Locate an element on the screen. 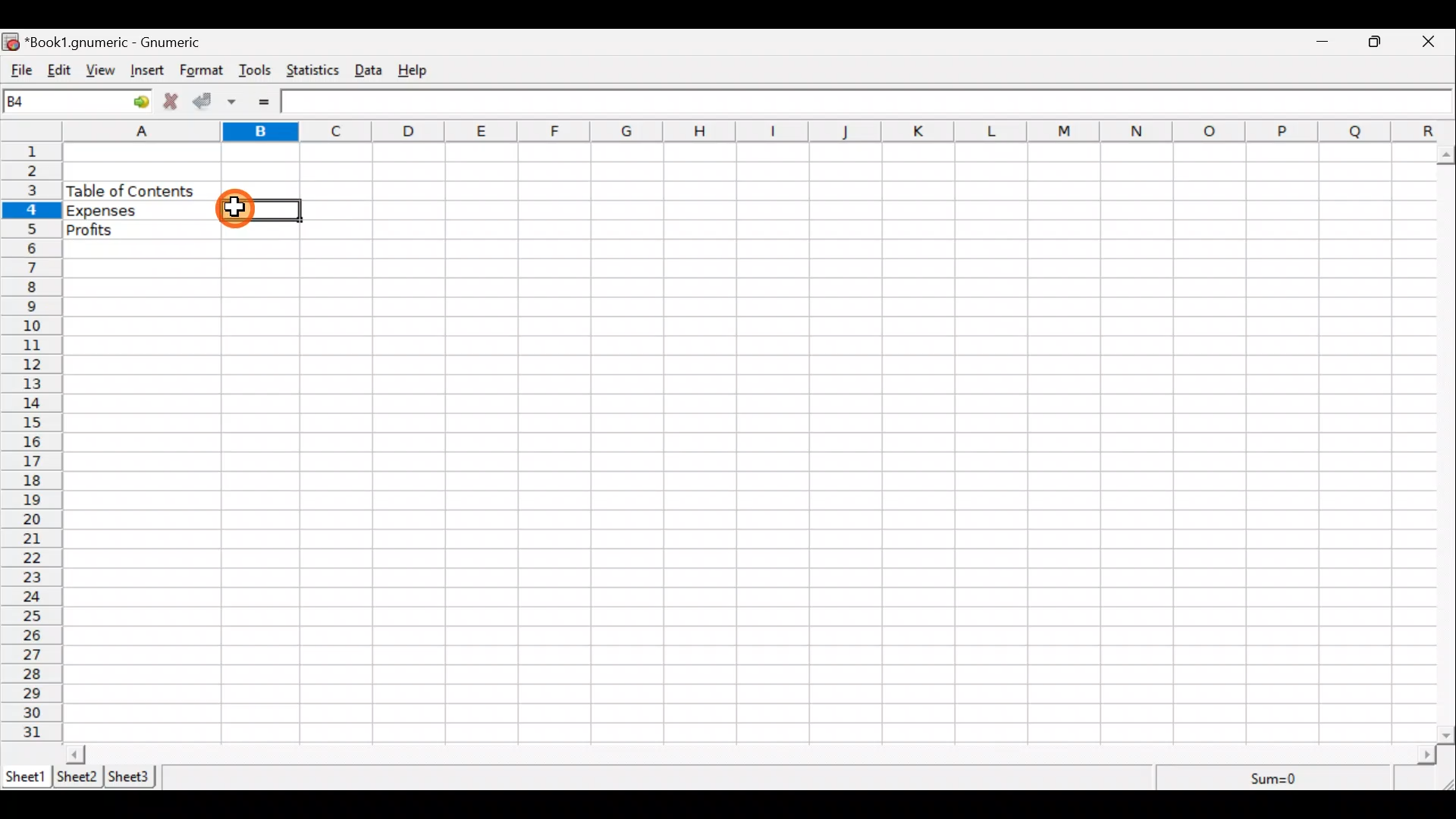 The height and width of the screenshot is (819, 1456). Formula bar is located at coordinates (865, 100).